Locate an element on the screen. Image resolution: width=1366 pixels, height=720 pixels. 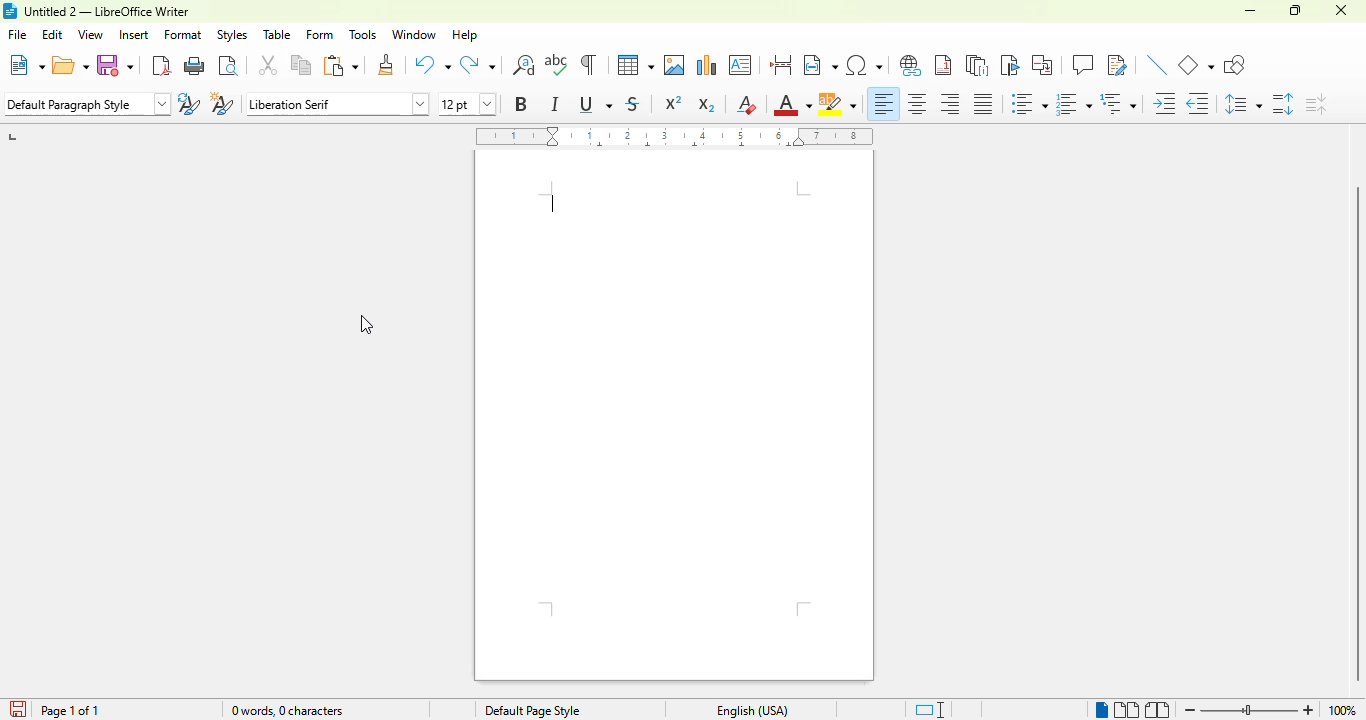
bold is located at coordinates (522, 103).